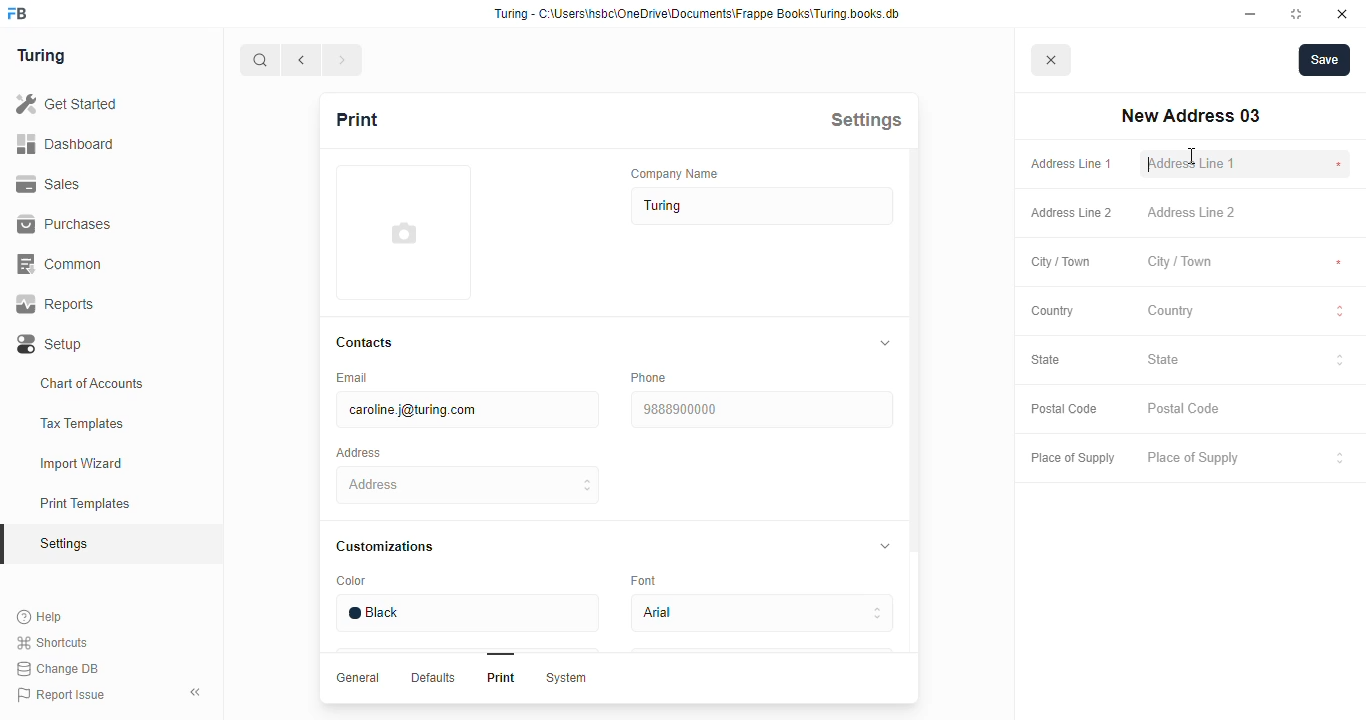  Describe the element at coordinates (648, 377) in the screenshot. I see `phone` at that location.